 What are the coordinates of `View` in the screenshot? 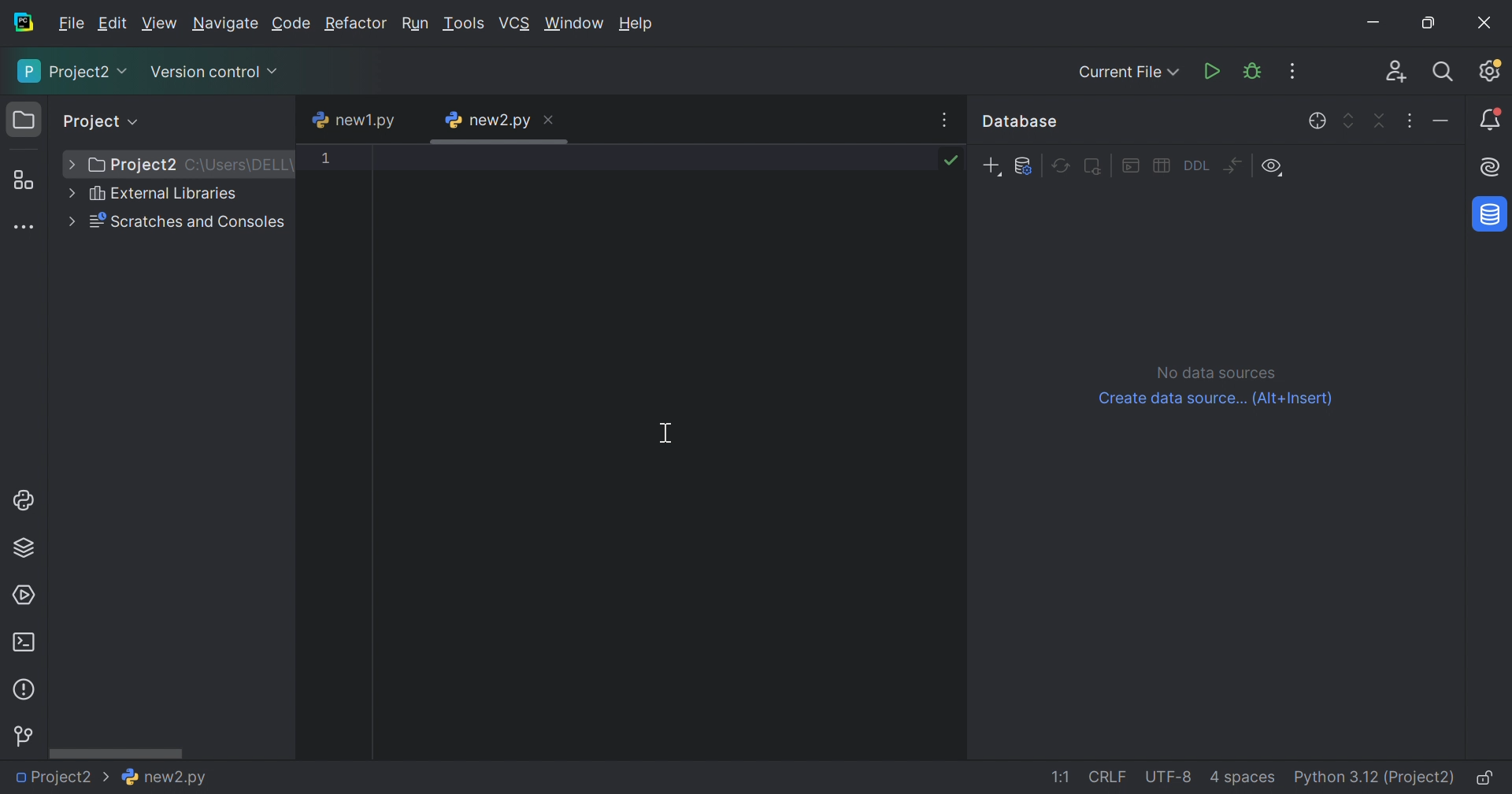 It's located at (161, 21).